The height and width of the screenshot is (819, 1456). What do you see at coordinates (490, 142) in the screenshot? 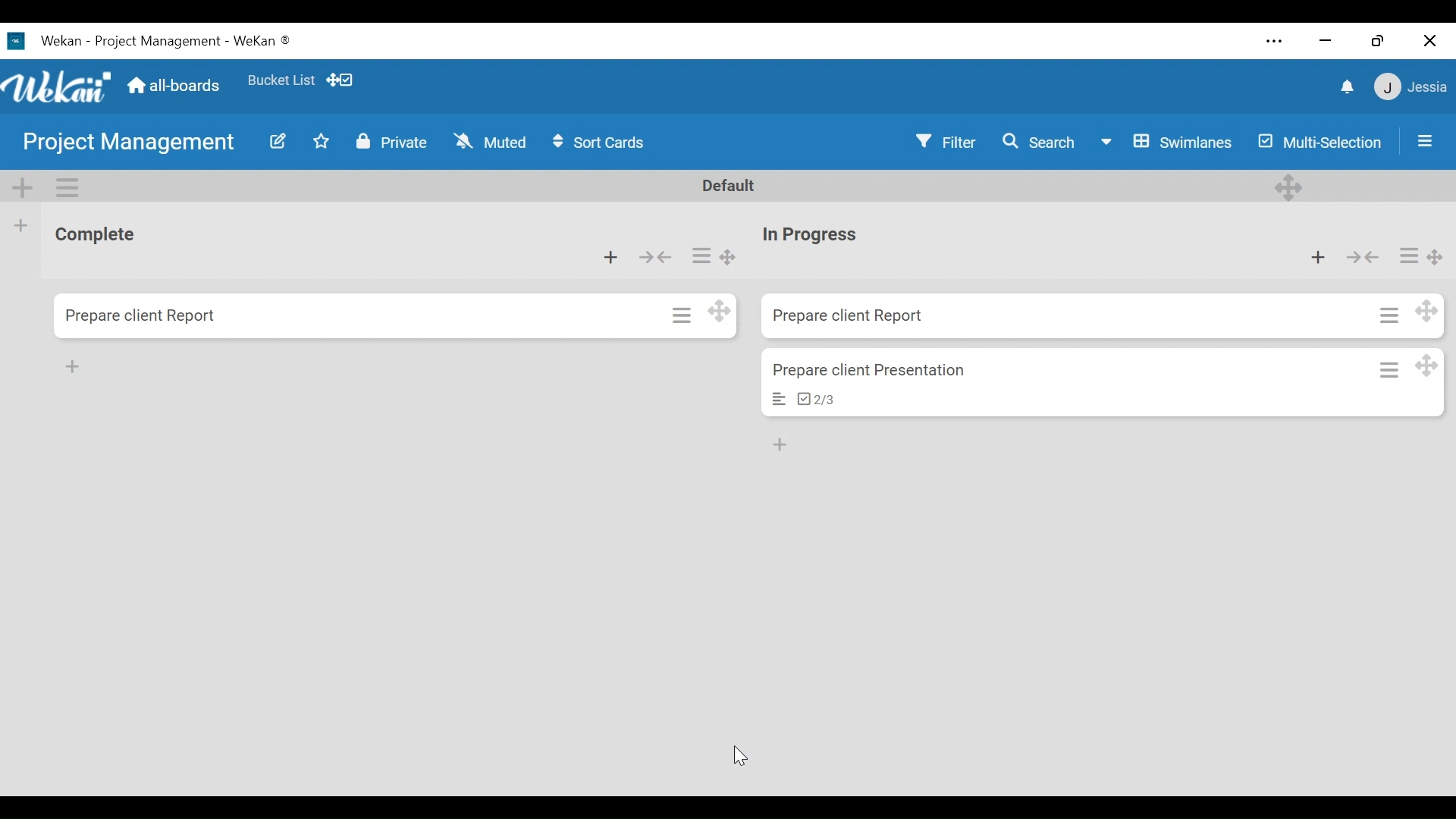
I see `Muted` at bounding box center [490, 142].